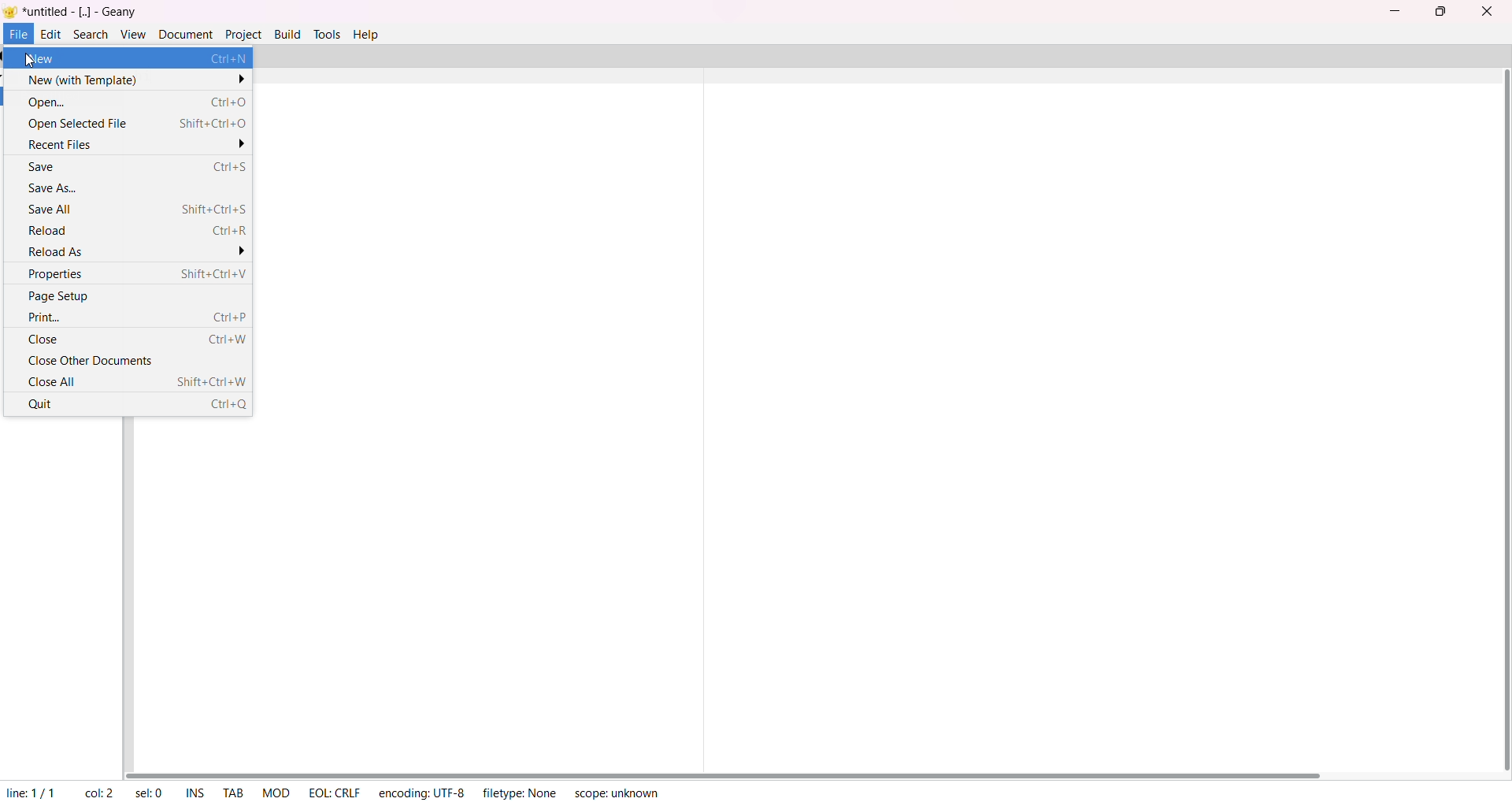 Image resolution: width=1512 pixels, height=802 pixels. Describe the element at coordinates (137, 145) in the screenshot. I see `recent files` at that location.